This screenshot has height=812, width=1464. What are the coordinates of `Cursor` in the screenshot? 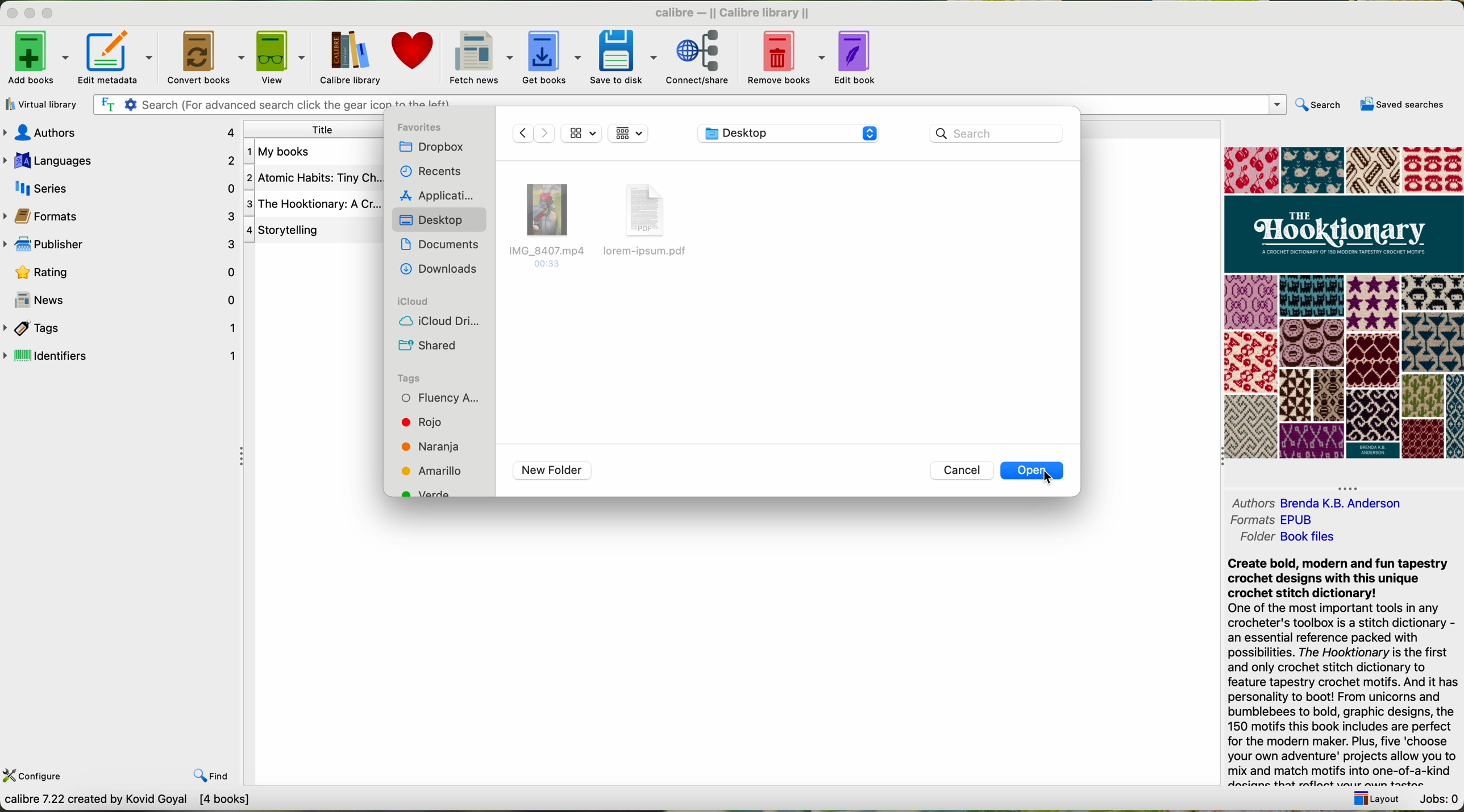 It's located at (1054, 480).